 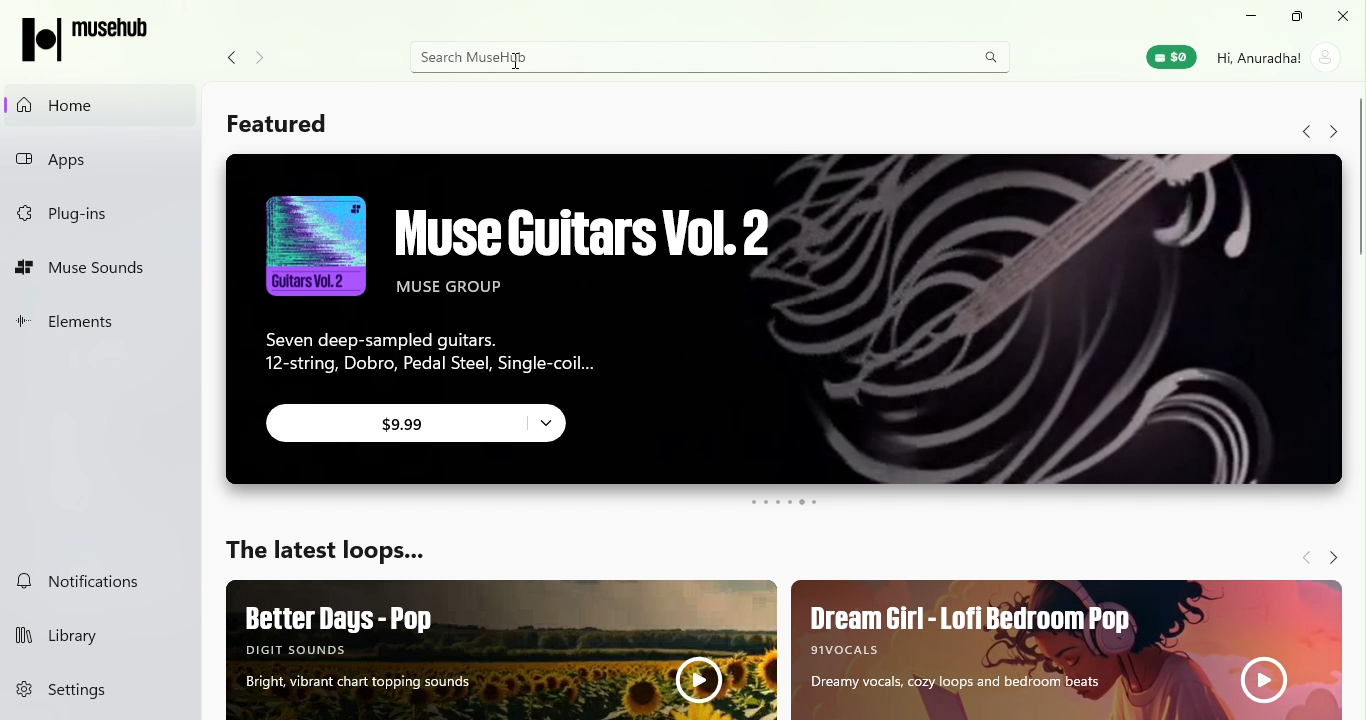 I want to click on Navigate forward, so click(x=1333, y=132).